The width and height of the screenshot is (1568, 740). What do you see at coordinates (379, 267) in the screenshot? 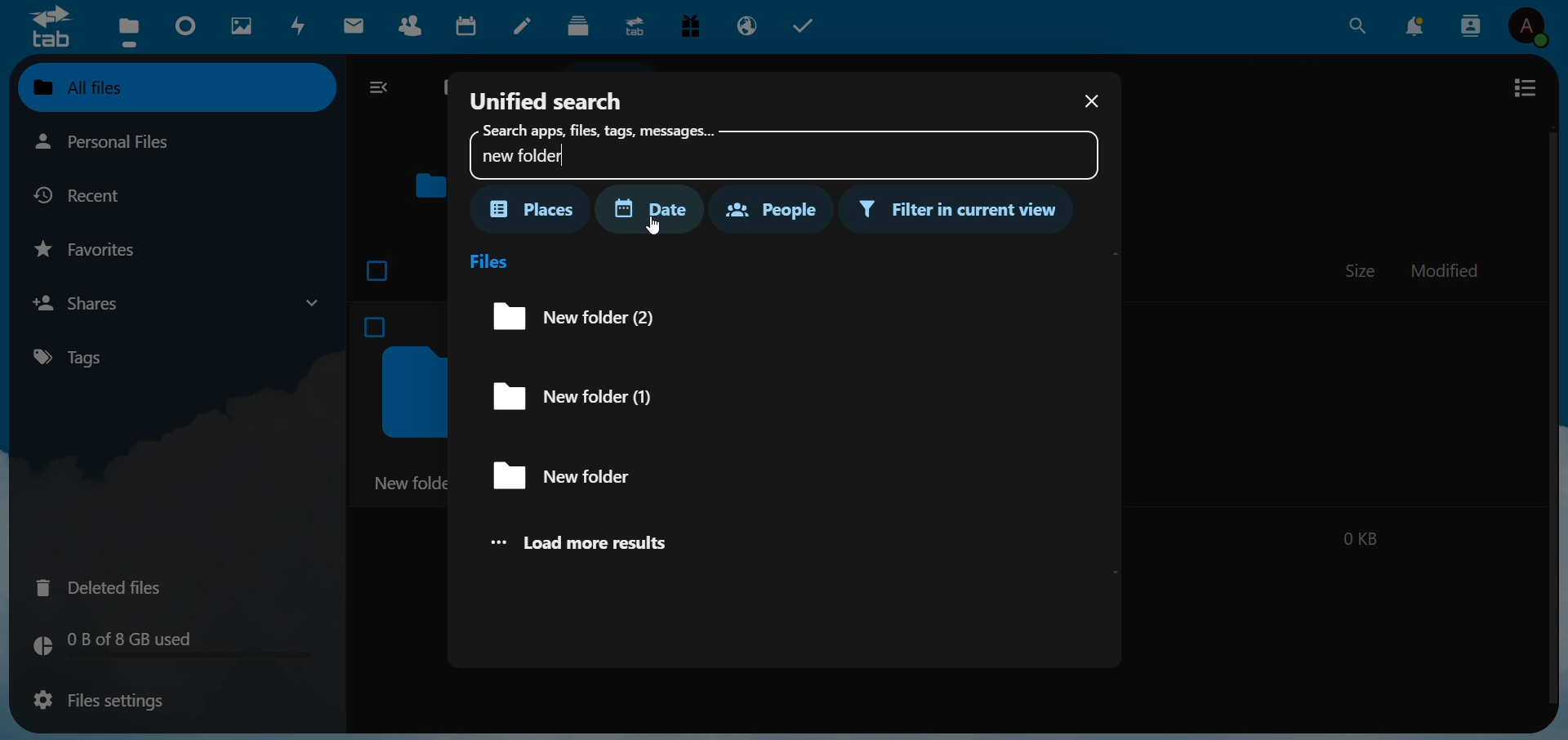
I see `checkbox` at bounding box center [379, 267].